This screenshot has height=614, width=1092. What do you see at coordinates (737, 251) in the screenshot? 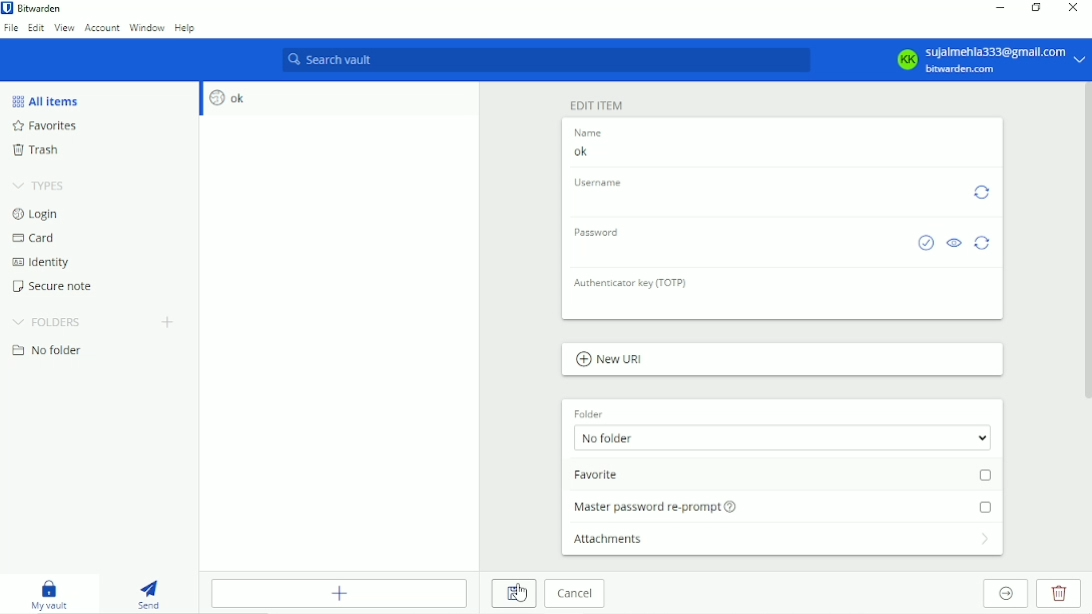
I see `add/edit password` at bounding box center [737, 251].